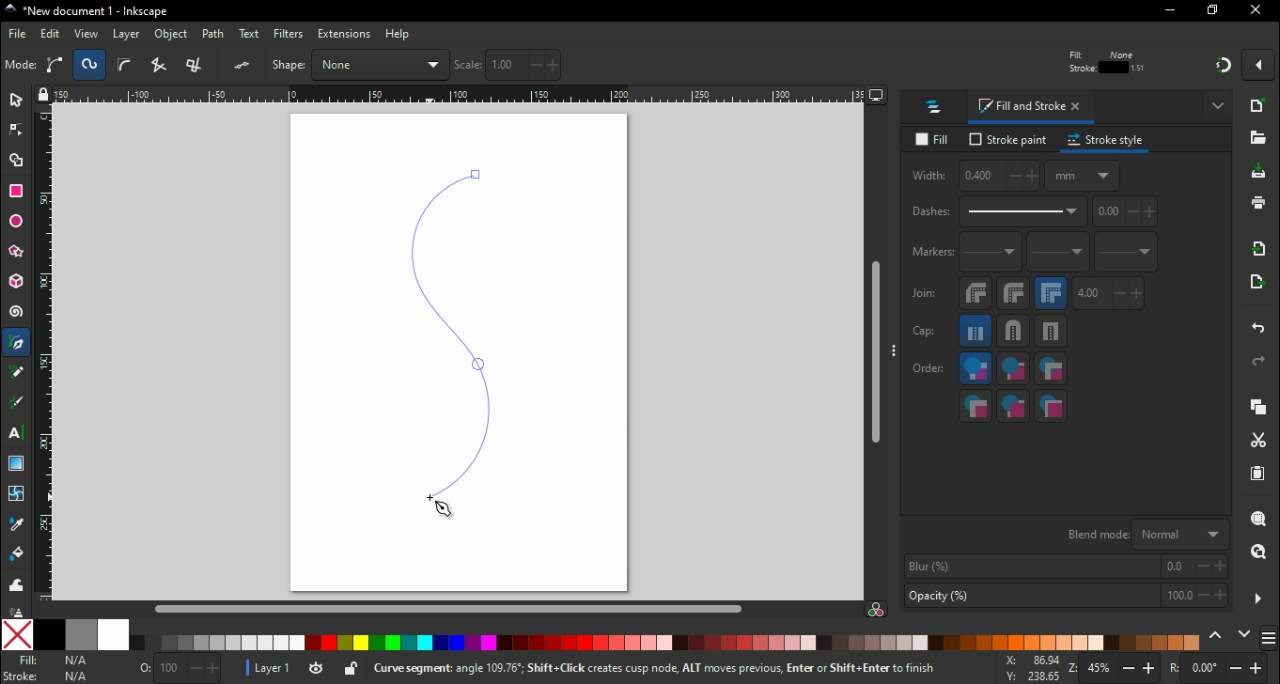 Image resolution: width=1280 pixels, height=684 pixels. I want to click on stroke and fill details, so click(1106, 61).